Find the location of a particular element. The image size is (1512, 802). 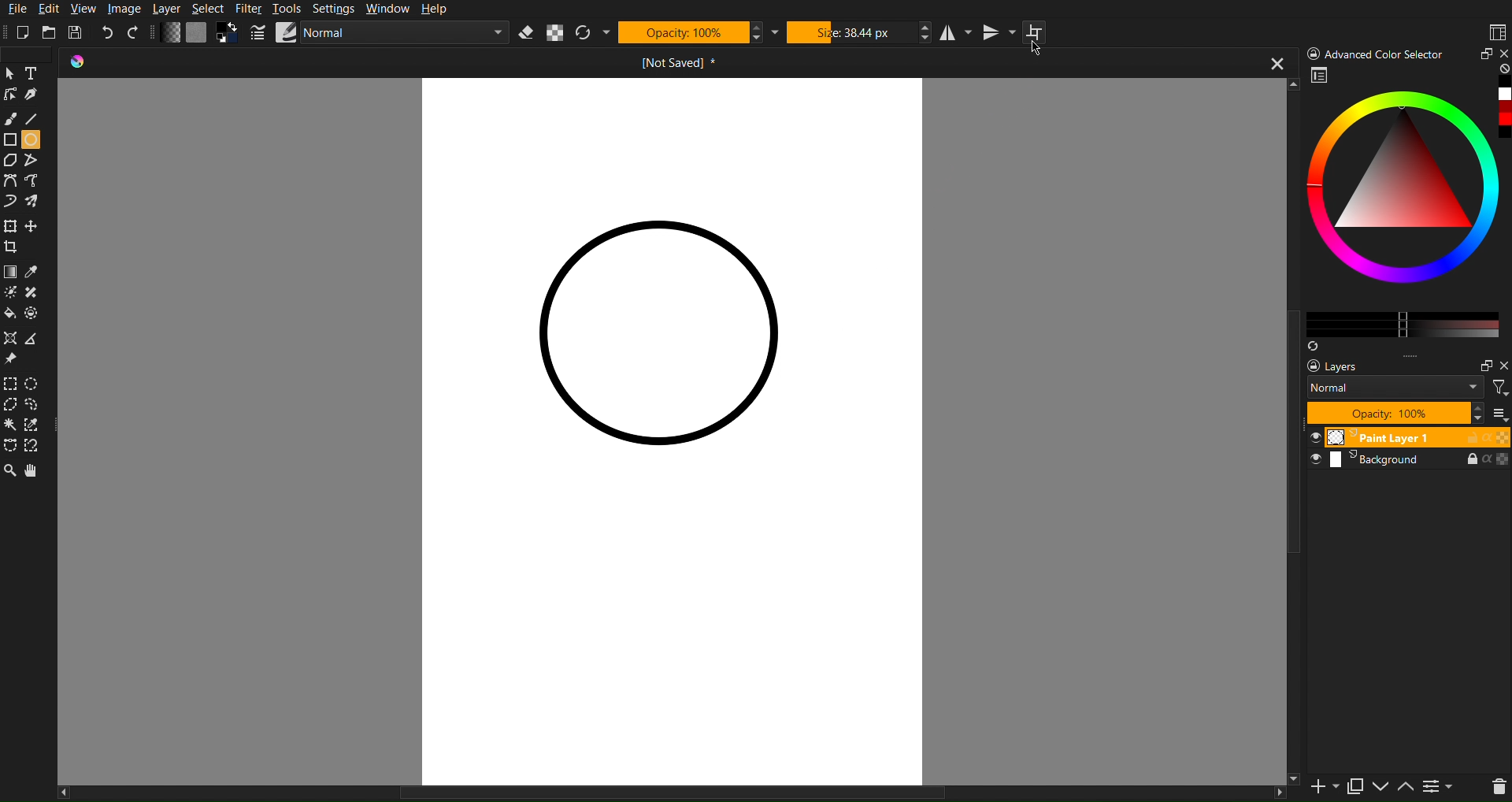

Opacity 100% is located at coordinates (1396, 412).